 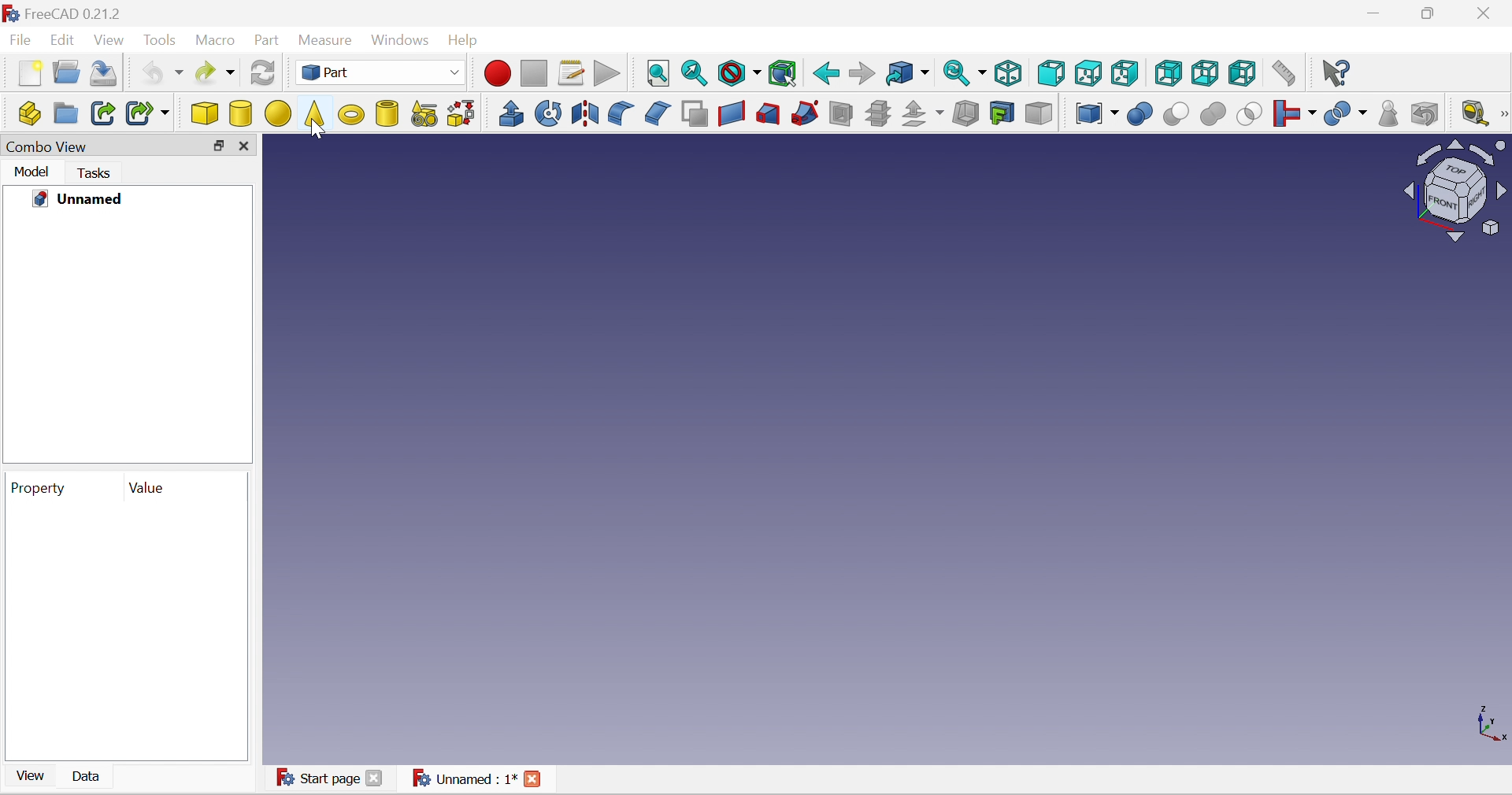 I want to click on Shape builder, so click(x=461, y=113).